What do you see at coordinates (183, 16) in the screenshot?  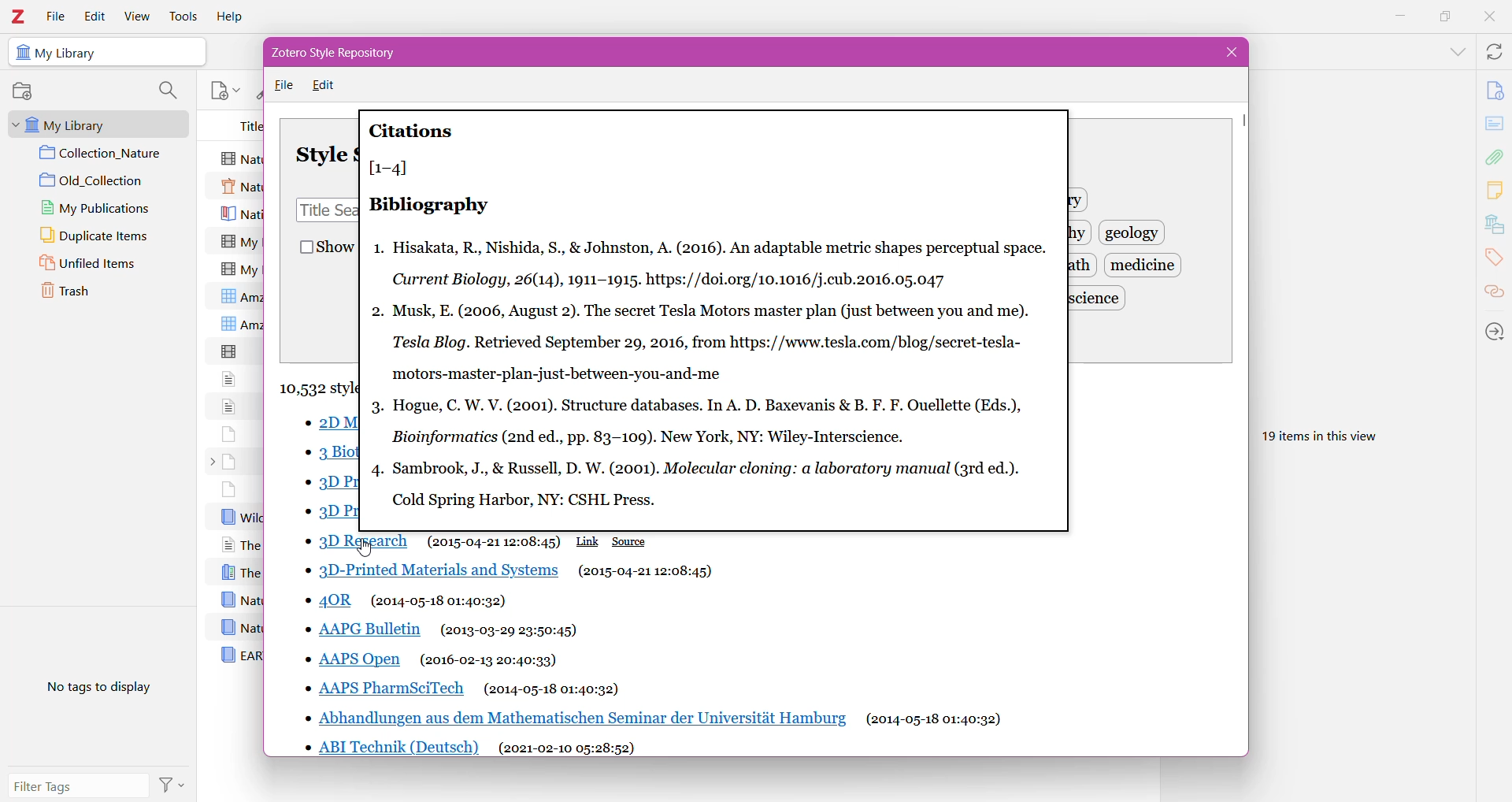 I see `Tools` at bounding box center [183, 16].